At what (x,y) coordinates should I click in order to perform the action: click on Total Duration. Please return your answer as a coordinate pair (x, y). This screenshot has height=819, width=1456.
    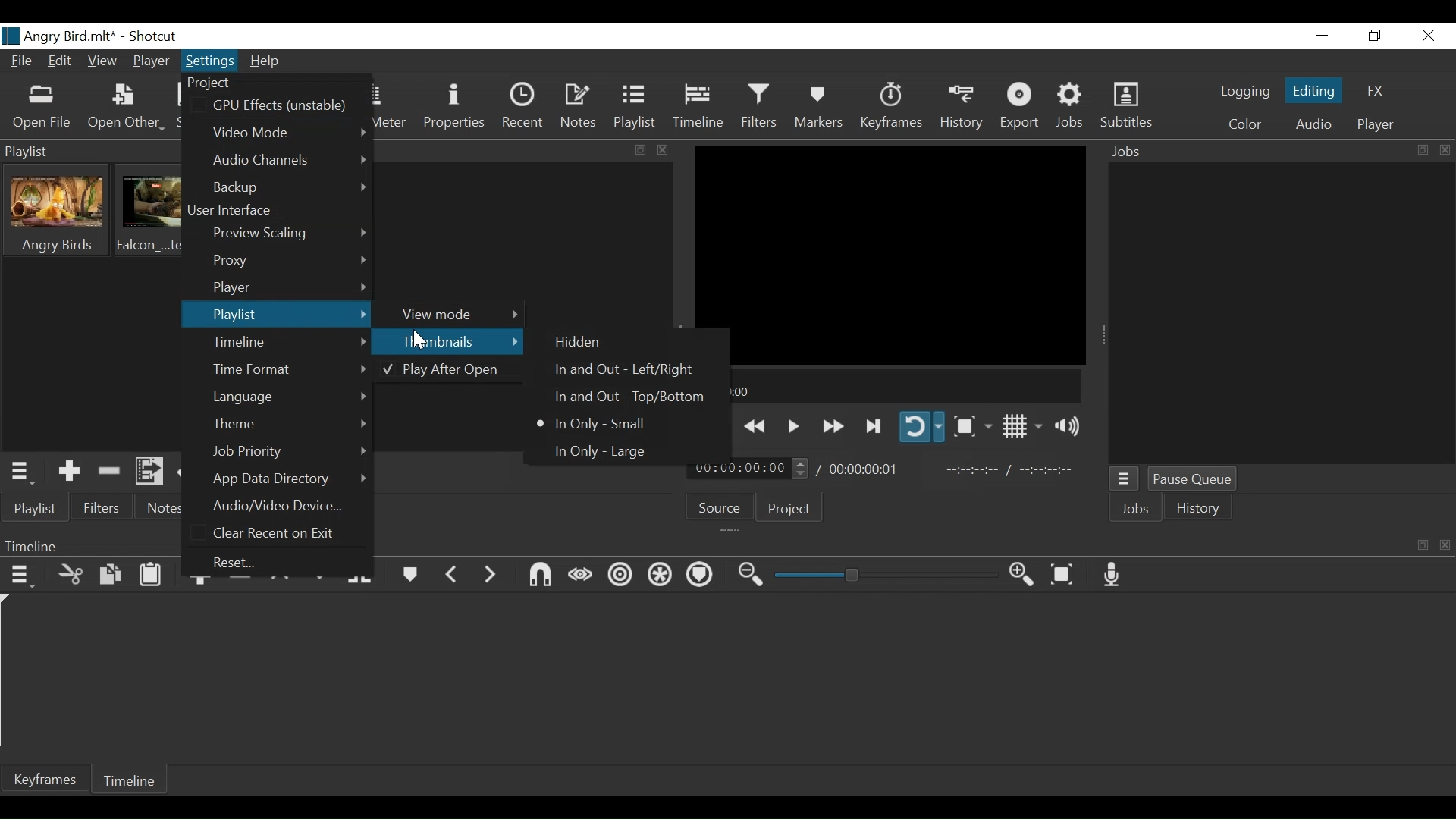
    Looking at the image, I should click on (863, 468).